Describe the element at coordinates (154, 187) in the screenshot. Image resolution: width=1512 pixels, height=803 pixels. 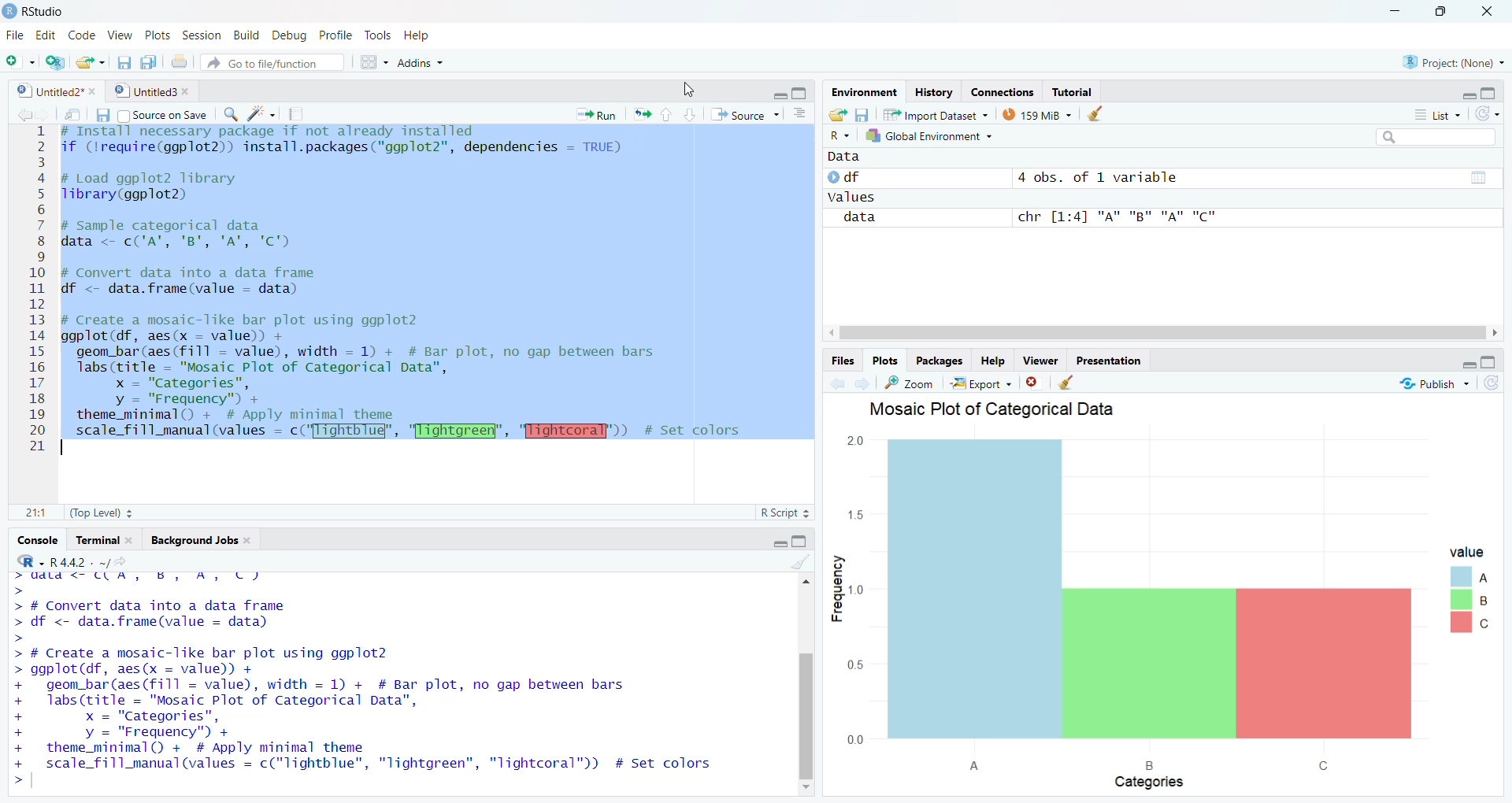
I see `# Load ggplot2 library
Tibrary(ggplot2)` at that location.